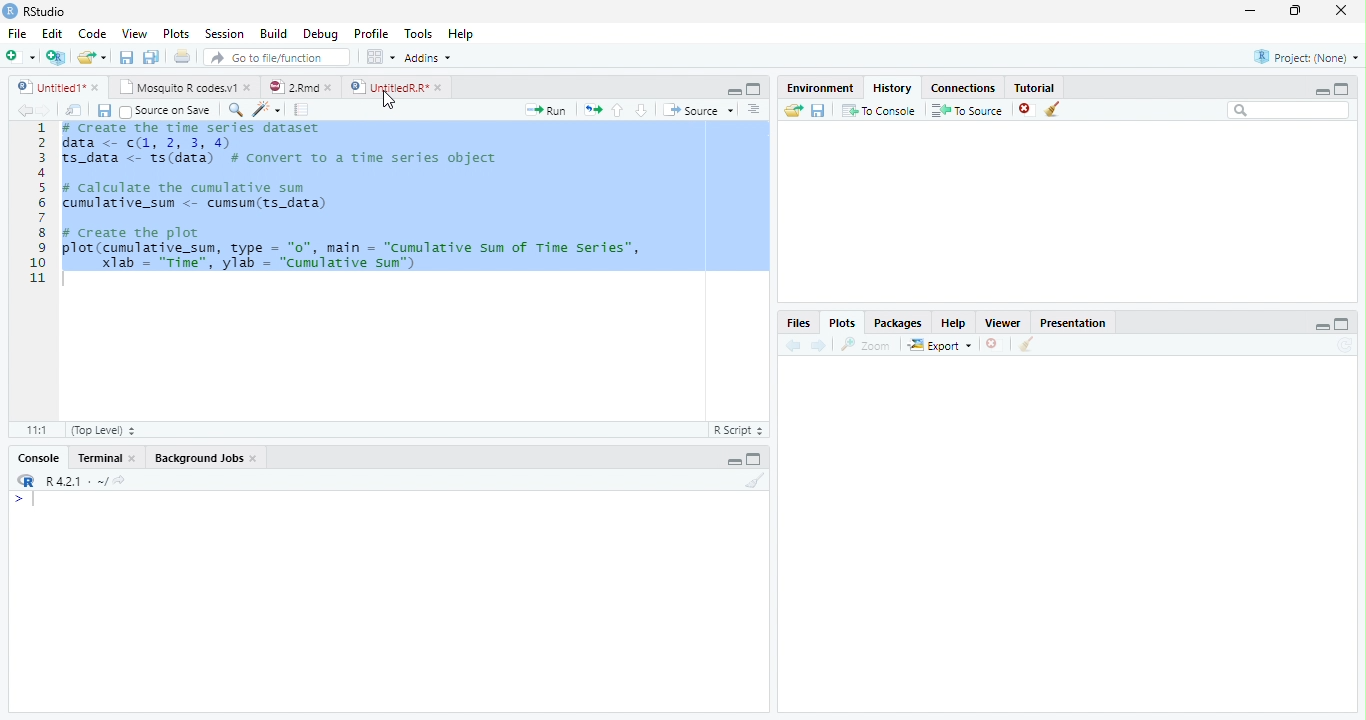  What do you see at coordinates (592, 110) in the screenshot?
I see `Files` at bounding box center [592, 110].